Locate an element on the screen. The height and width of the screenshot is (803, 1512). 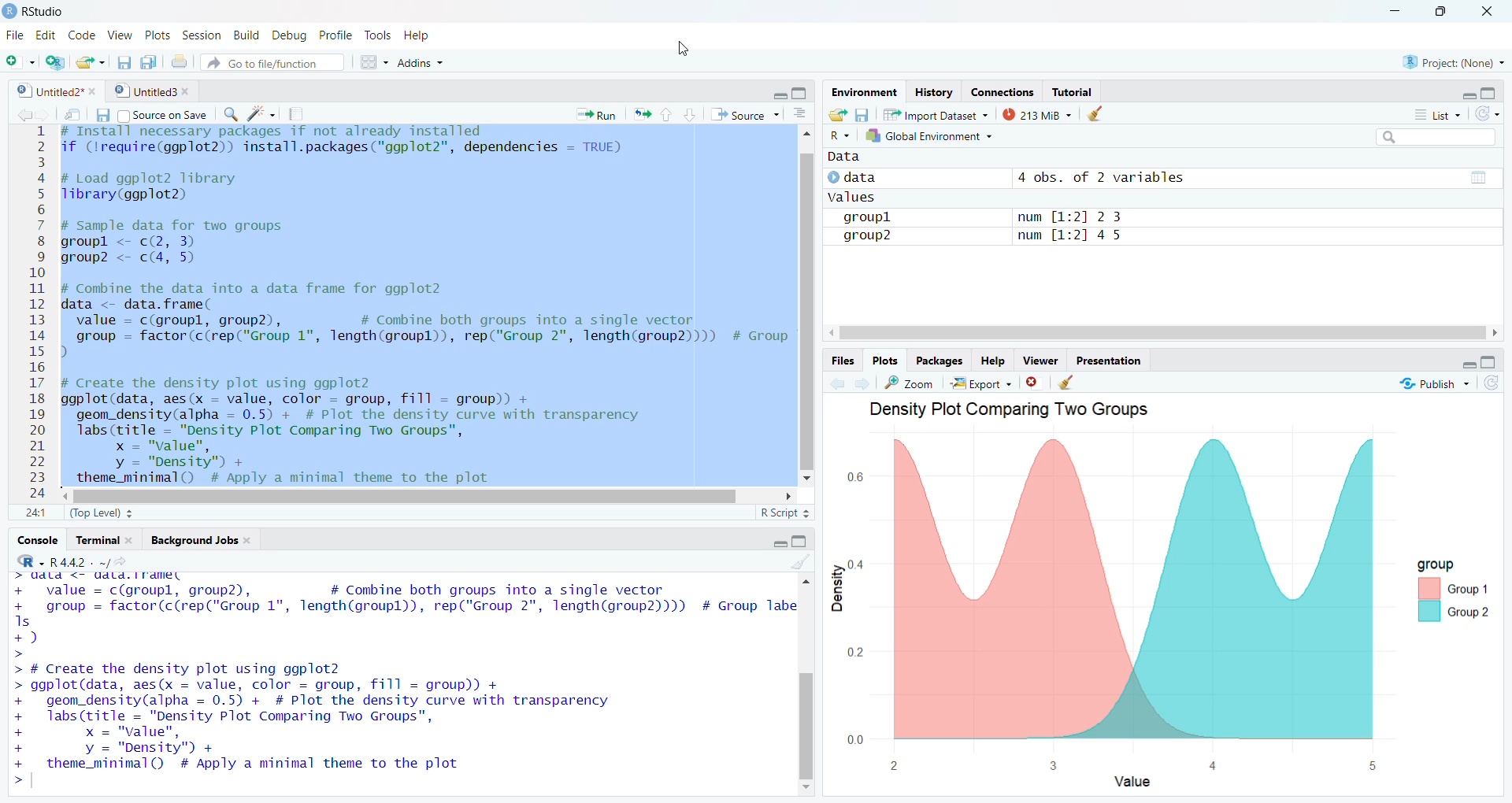
IMPORT DATASET is located at coordinates (936, 116).